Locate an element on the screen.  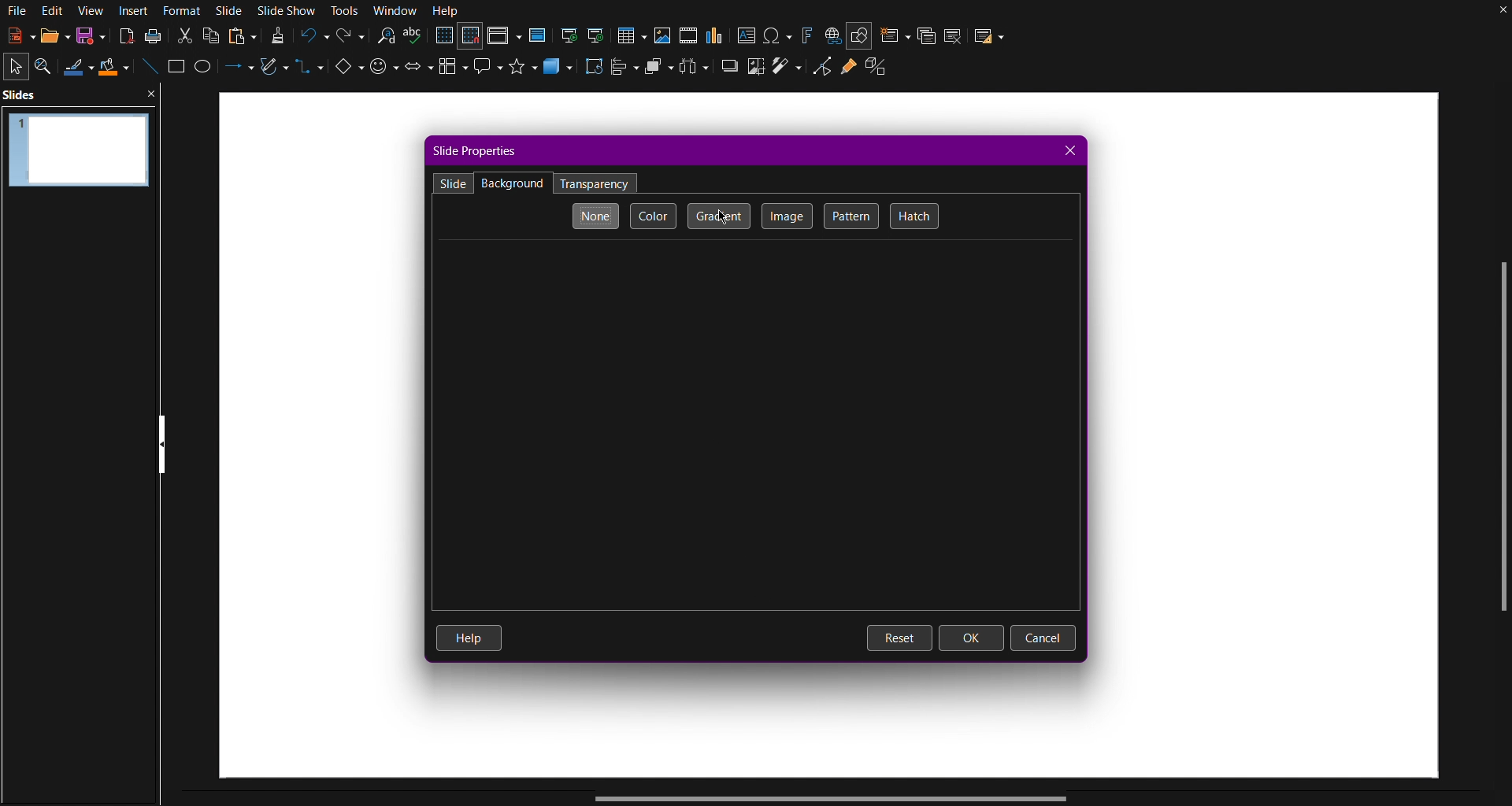
Paste is located at coordinates (242, 35).